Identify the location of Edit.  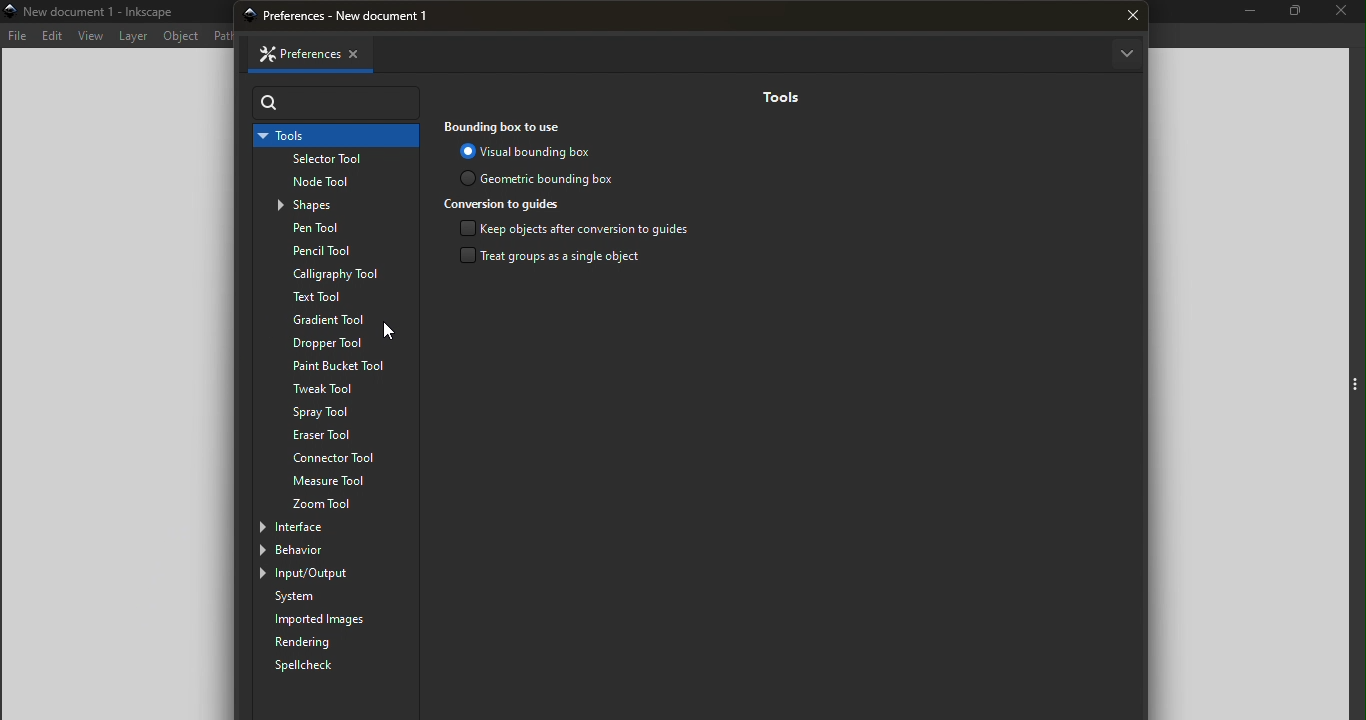
(52, 36).